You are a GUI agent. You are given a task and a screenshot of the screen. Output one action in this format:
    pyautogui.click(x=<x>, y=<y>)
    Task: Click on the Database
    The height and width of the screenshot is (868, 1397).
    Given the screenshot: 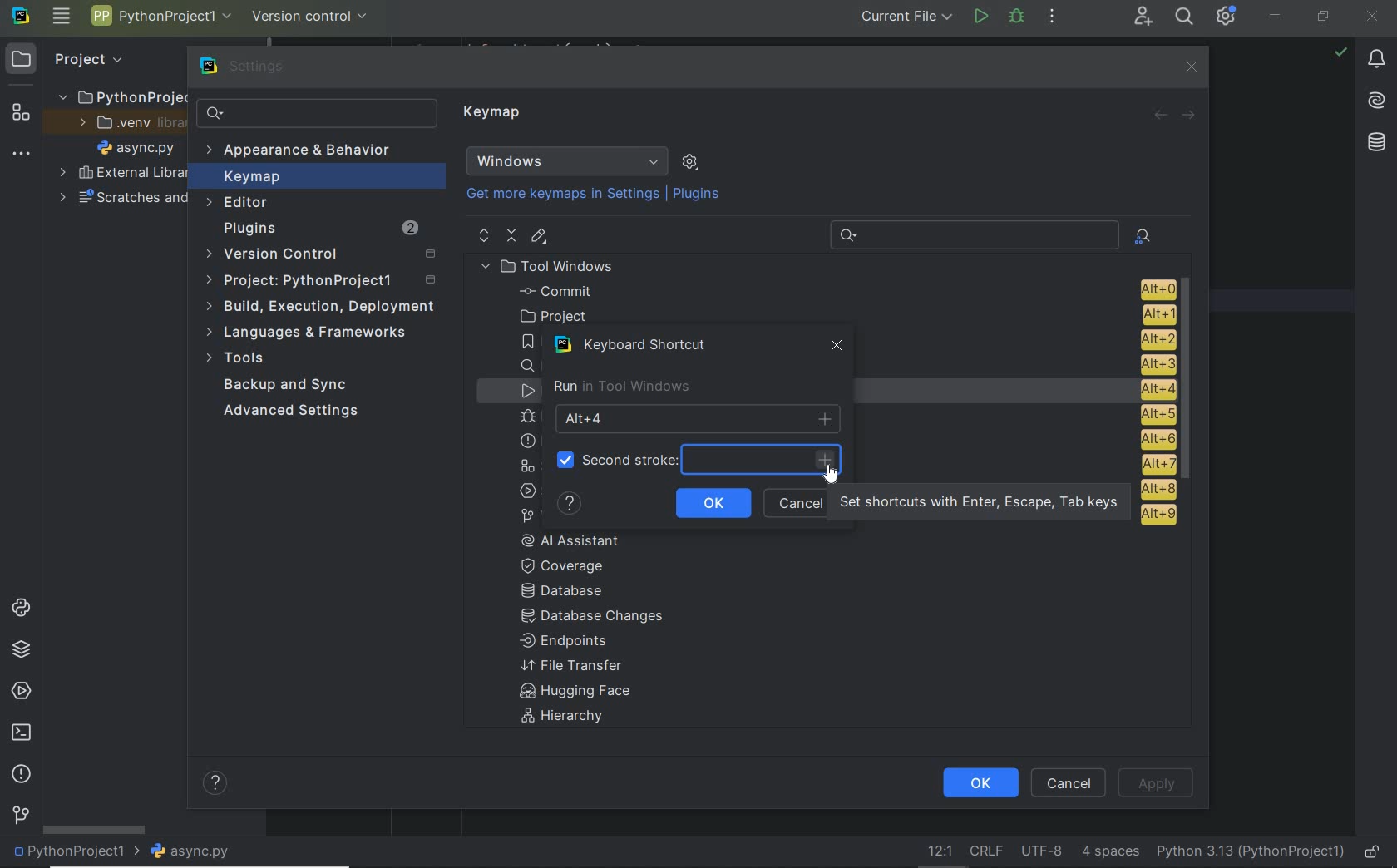 What is the action you would take?
    pyautogui.click(x=567, y=592)
    